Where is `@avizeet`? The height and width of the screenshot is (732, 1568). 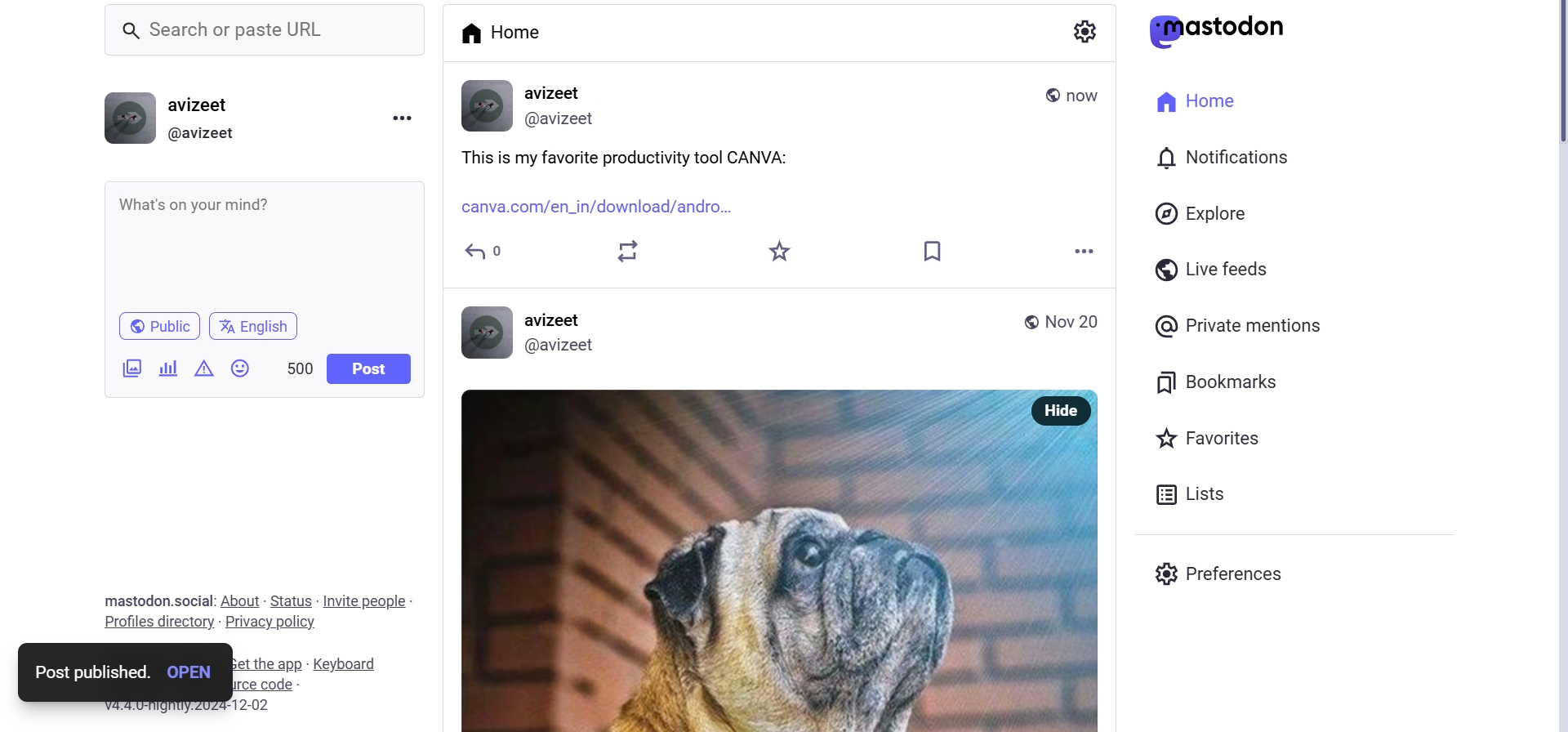
@avizeet is located at coordinates (202, 135).